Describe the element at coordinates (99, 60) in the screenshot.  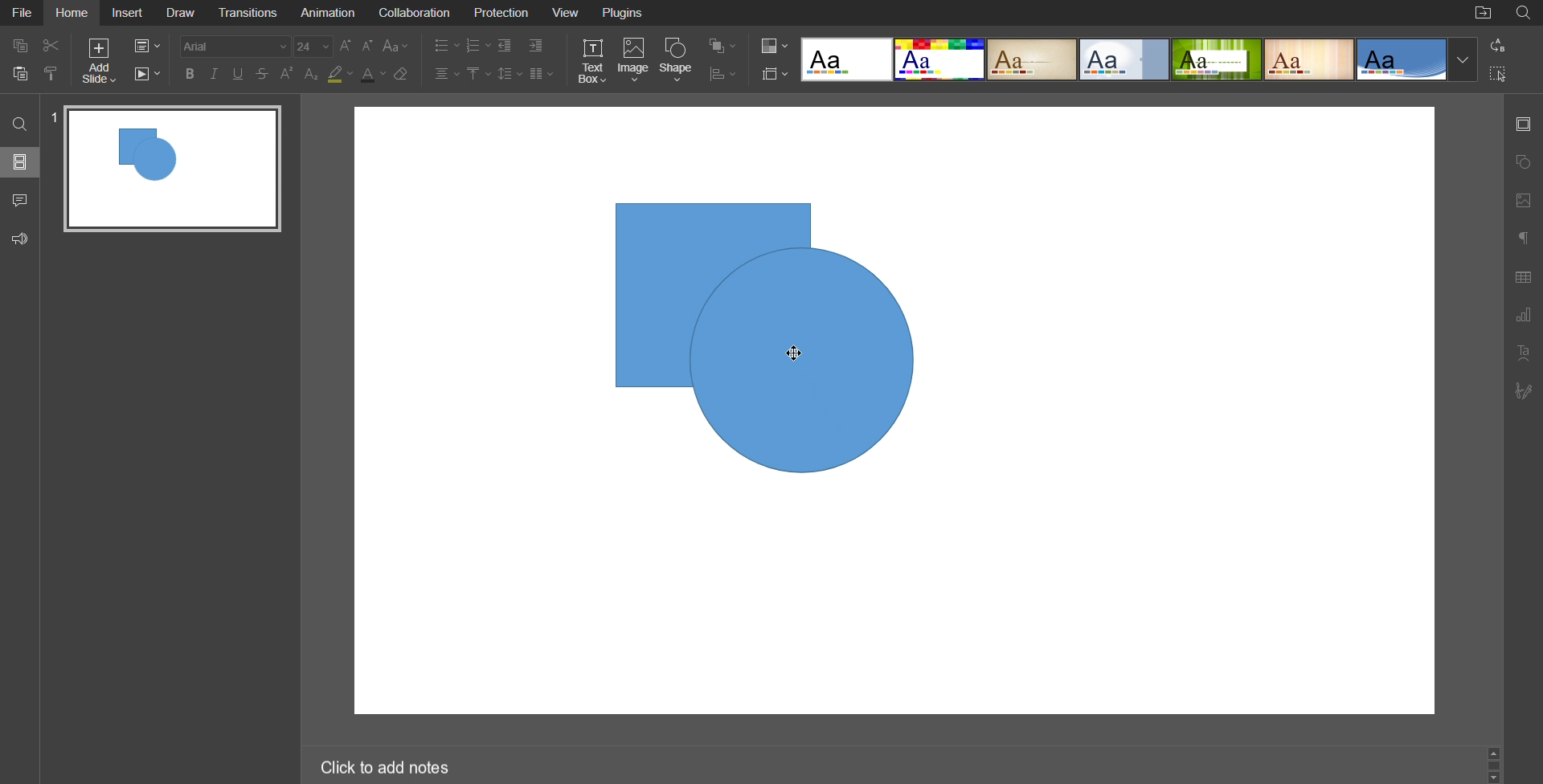
I see `Add Slide` at that location.